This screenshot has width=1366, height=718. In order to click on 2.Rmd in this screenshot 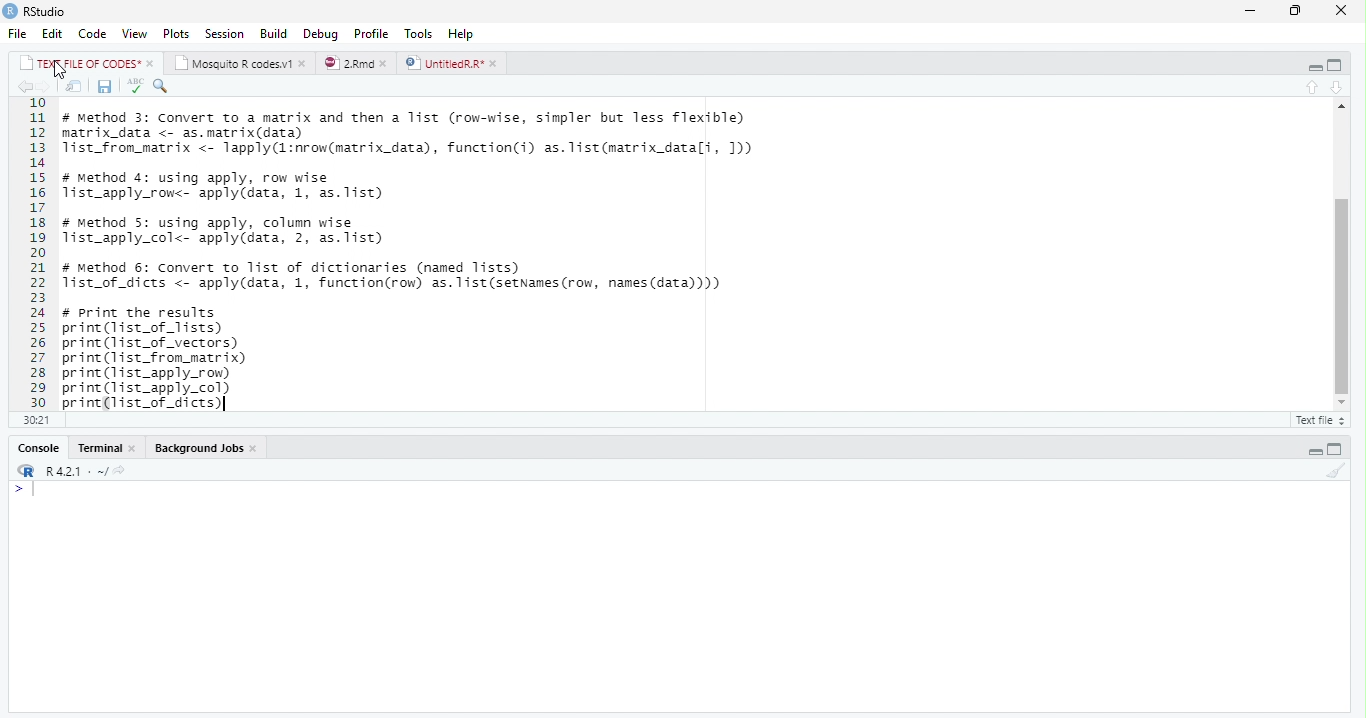, I will do `click(356, 64)`.